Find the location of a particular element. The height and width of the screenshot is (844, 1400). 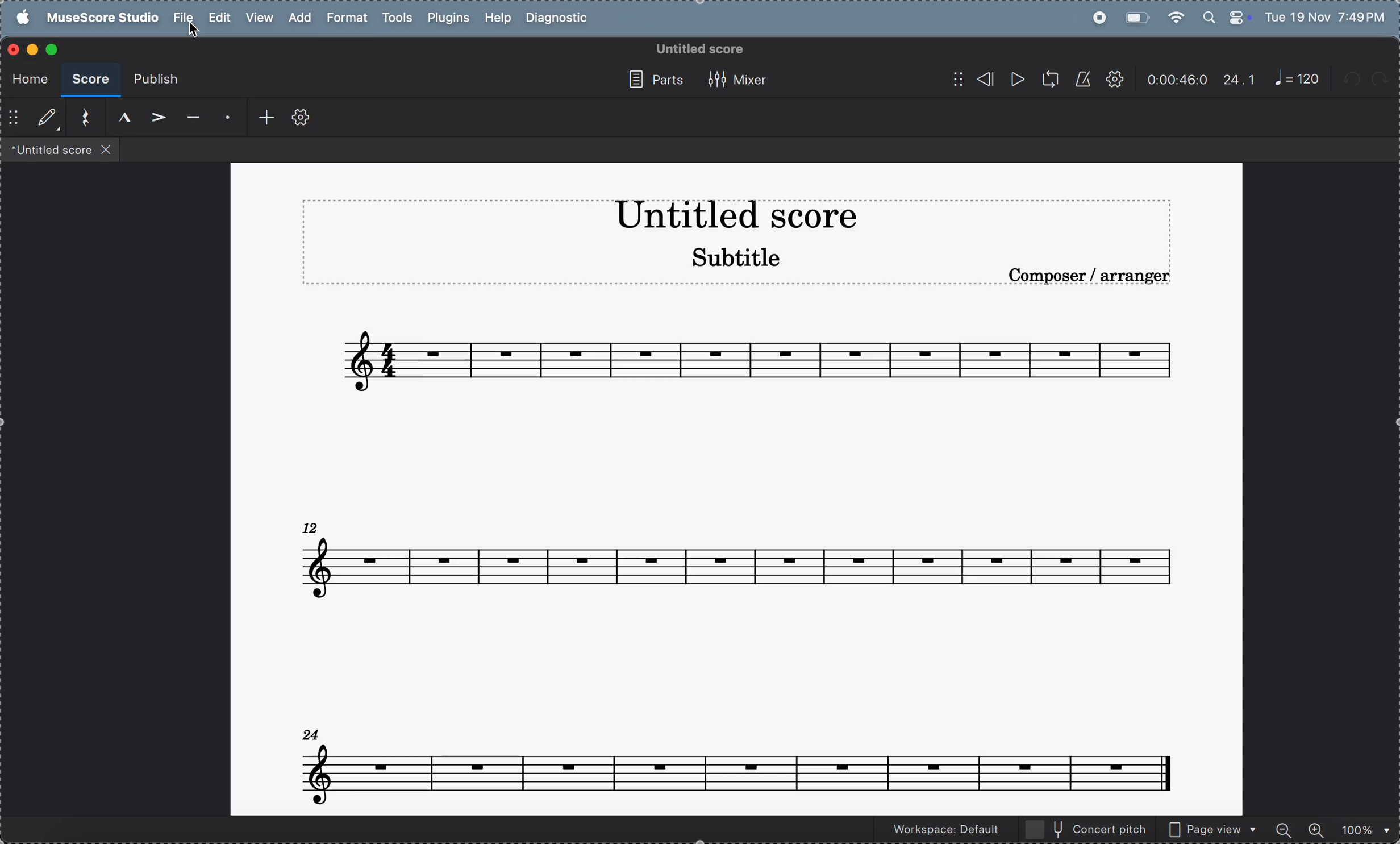

zoom percentage is located at coordinates (1362, 829).